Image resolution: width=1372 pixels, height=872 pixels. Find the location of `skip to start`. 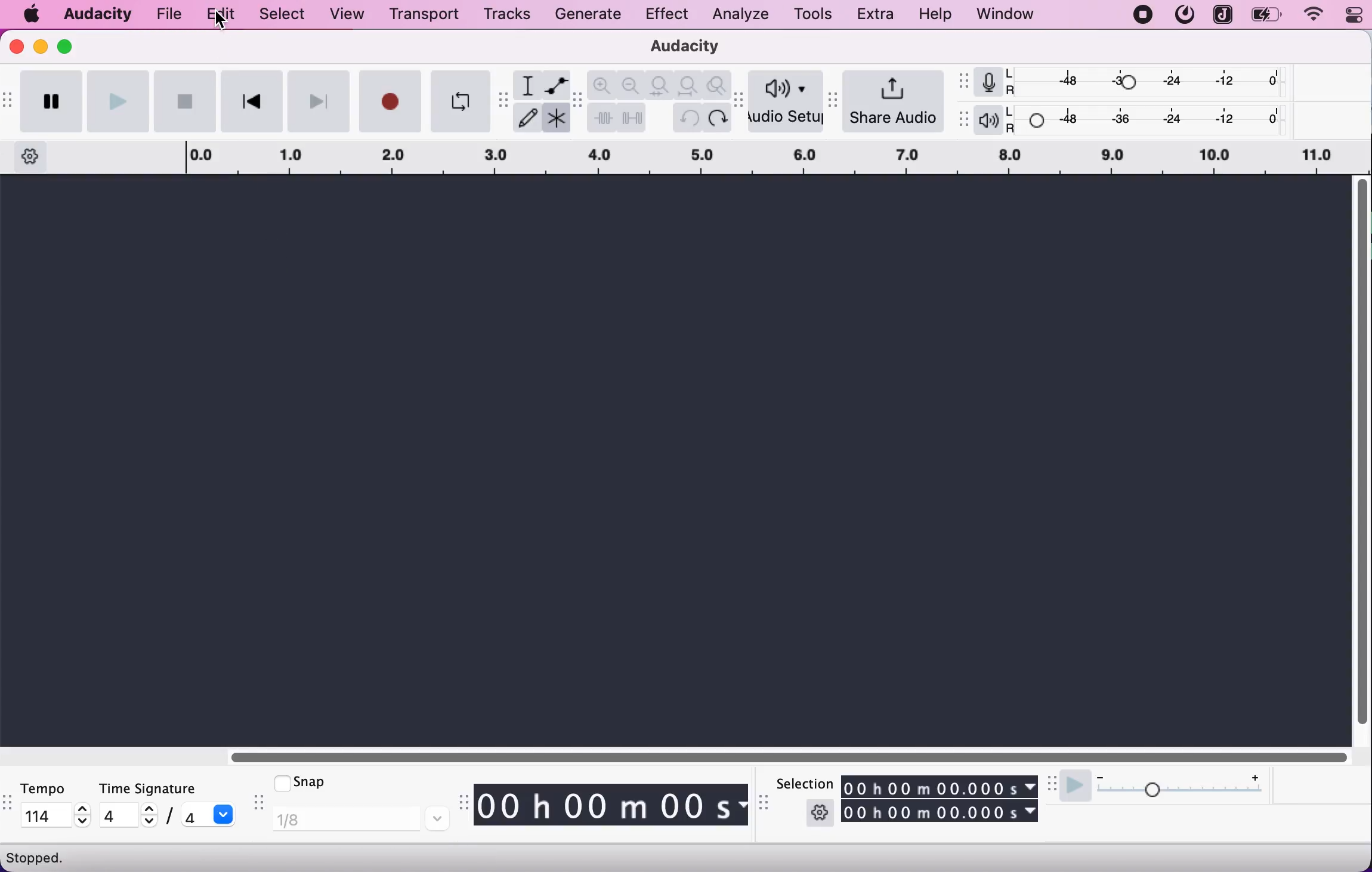

skip to start is located at coordinates (251, 101).